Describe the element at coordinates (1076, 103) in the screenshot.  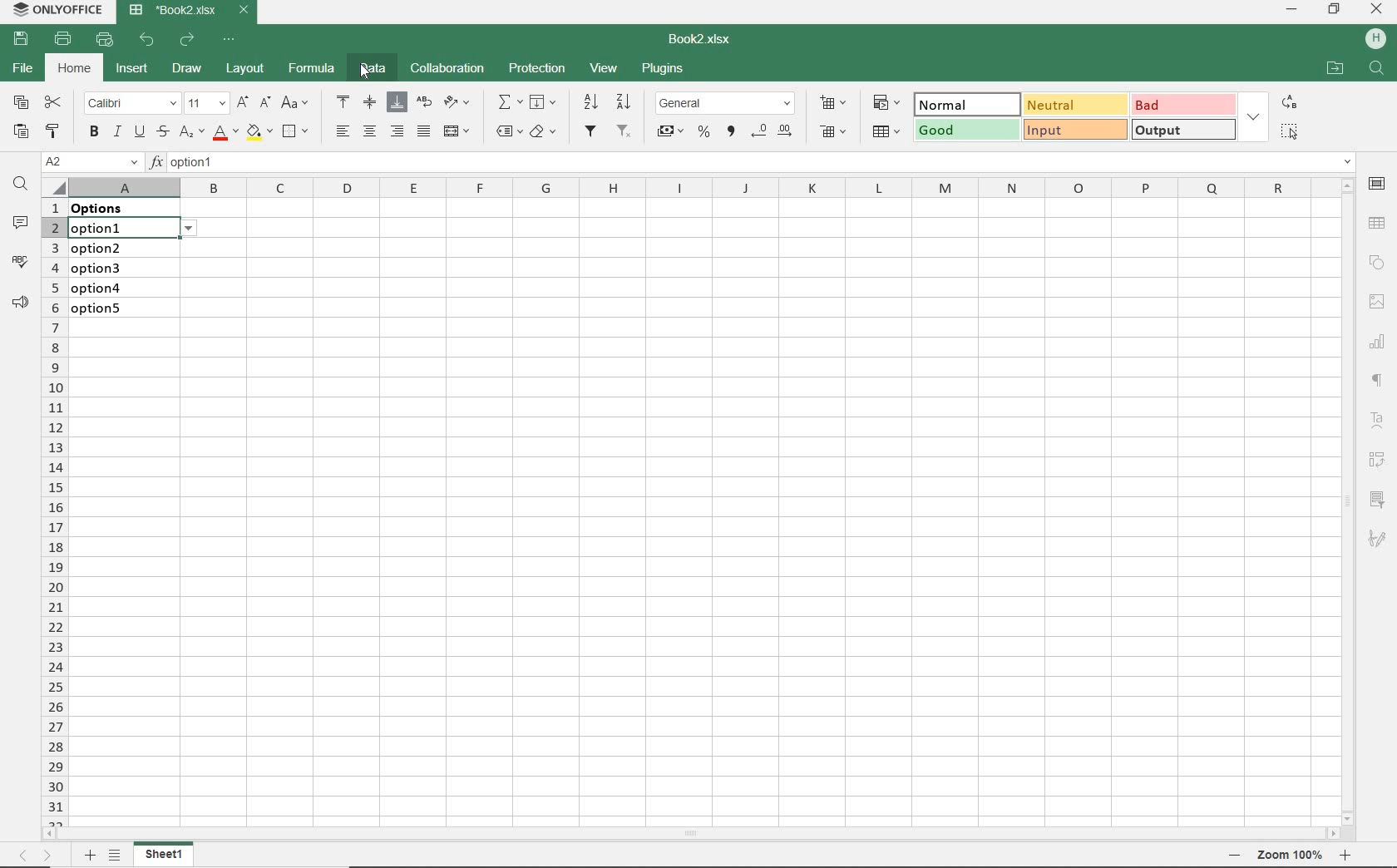
I see `NEUTRAL` at that location.